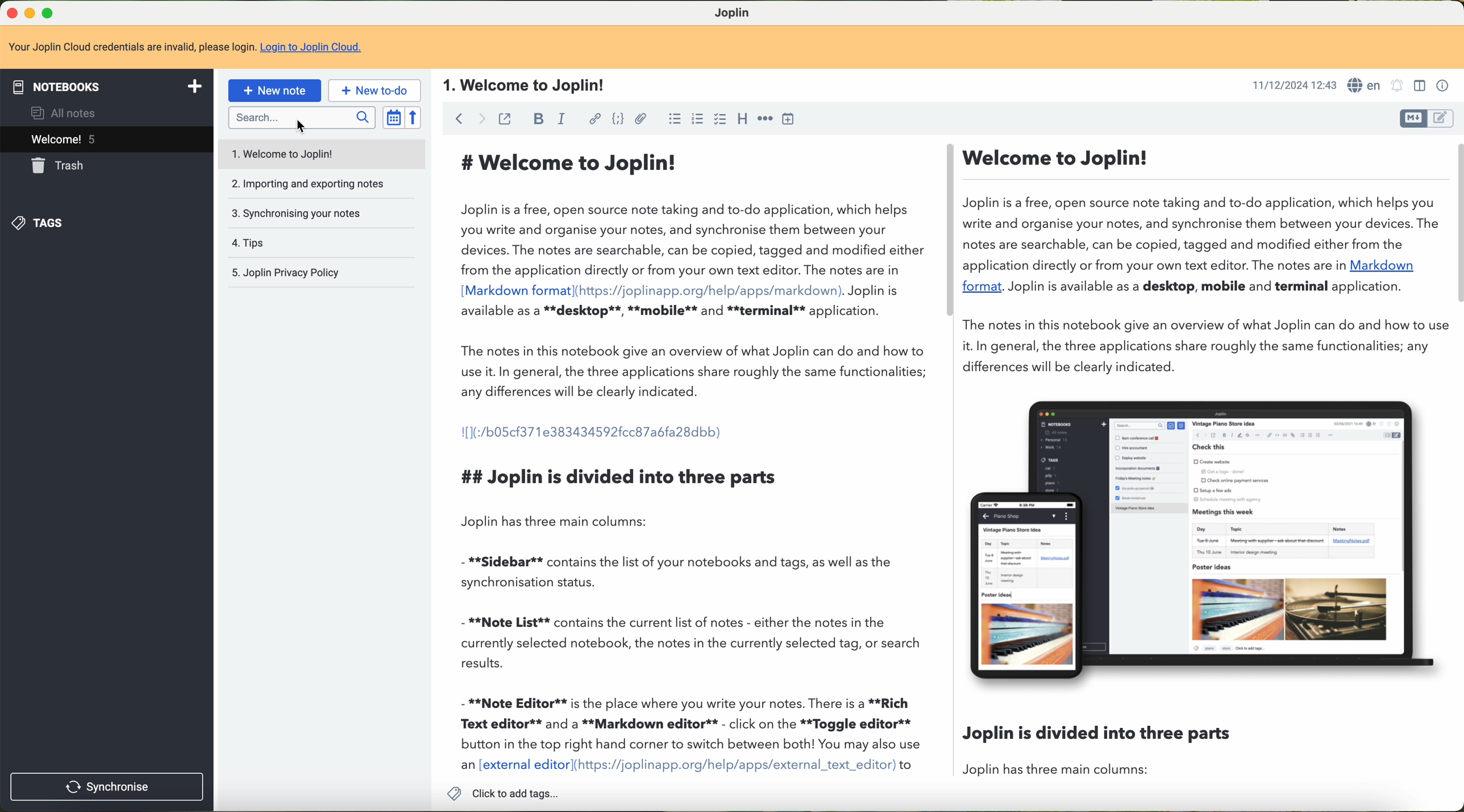  I want to click on all notes, so click(66, 112).